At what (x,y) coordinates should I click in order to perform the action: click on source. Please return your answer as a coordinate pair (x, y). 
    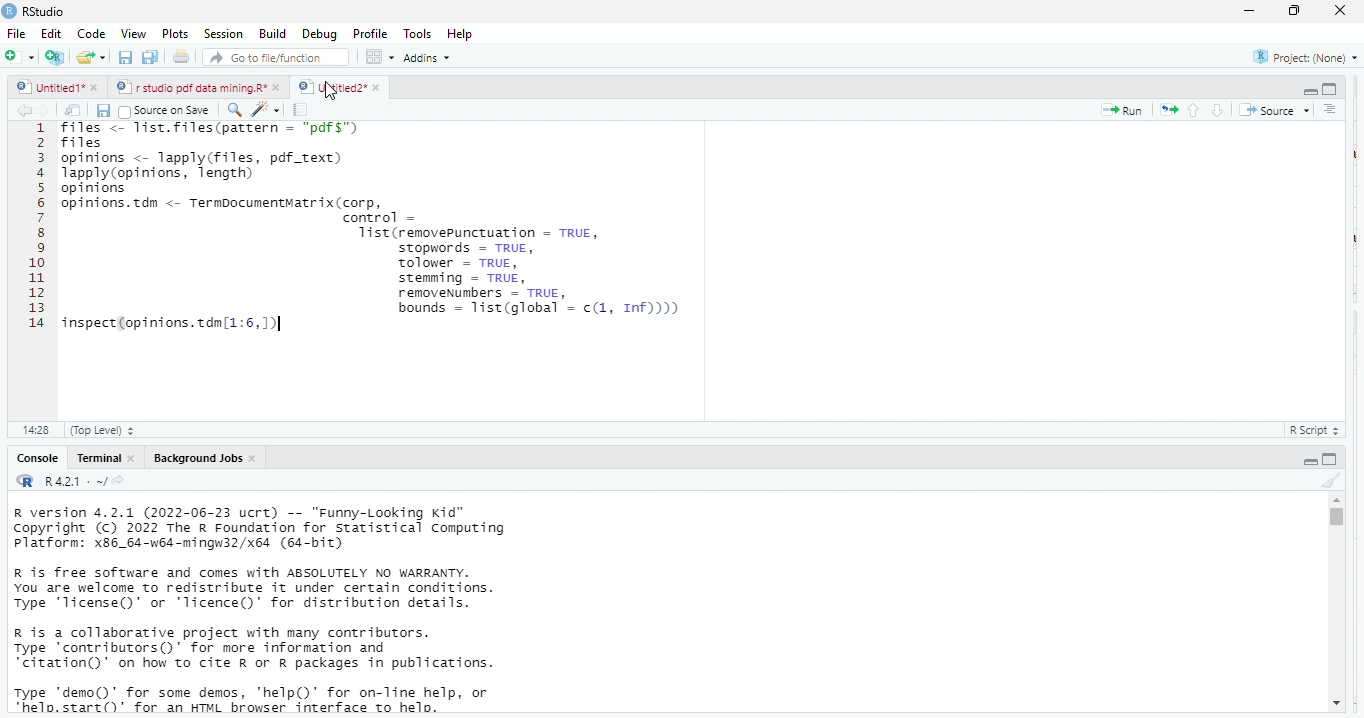
    Looking at the image, I should click on (1272, 110).